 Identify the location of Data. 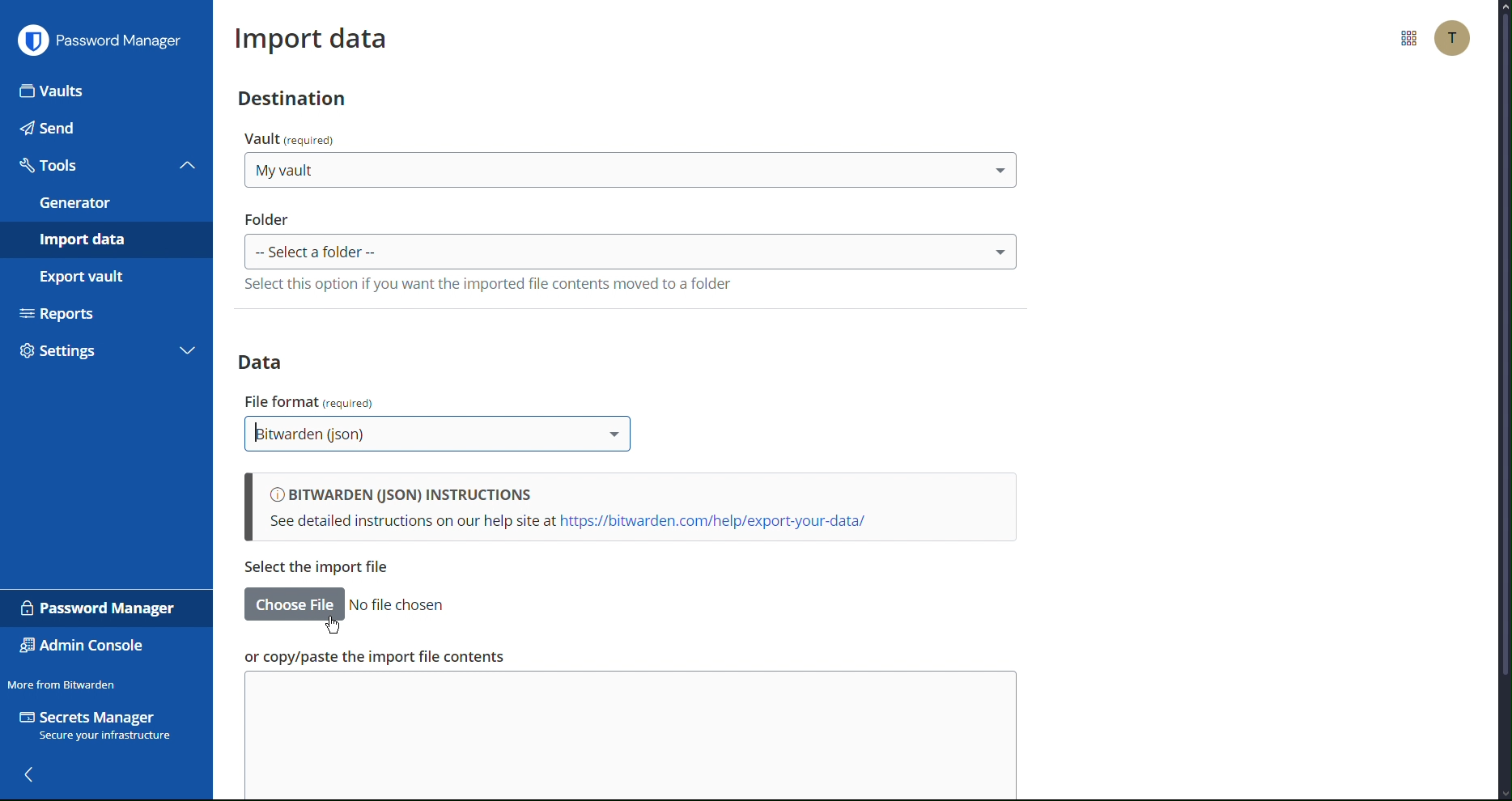
(268, 359).